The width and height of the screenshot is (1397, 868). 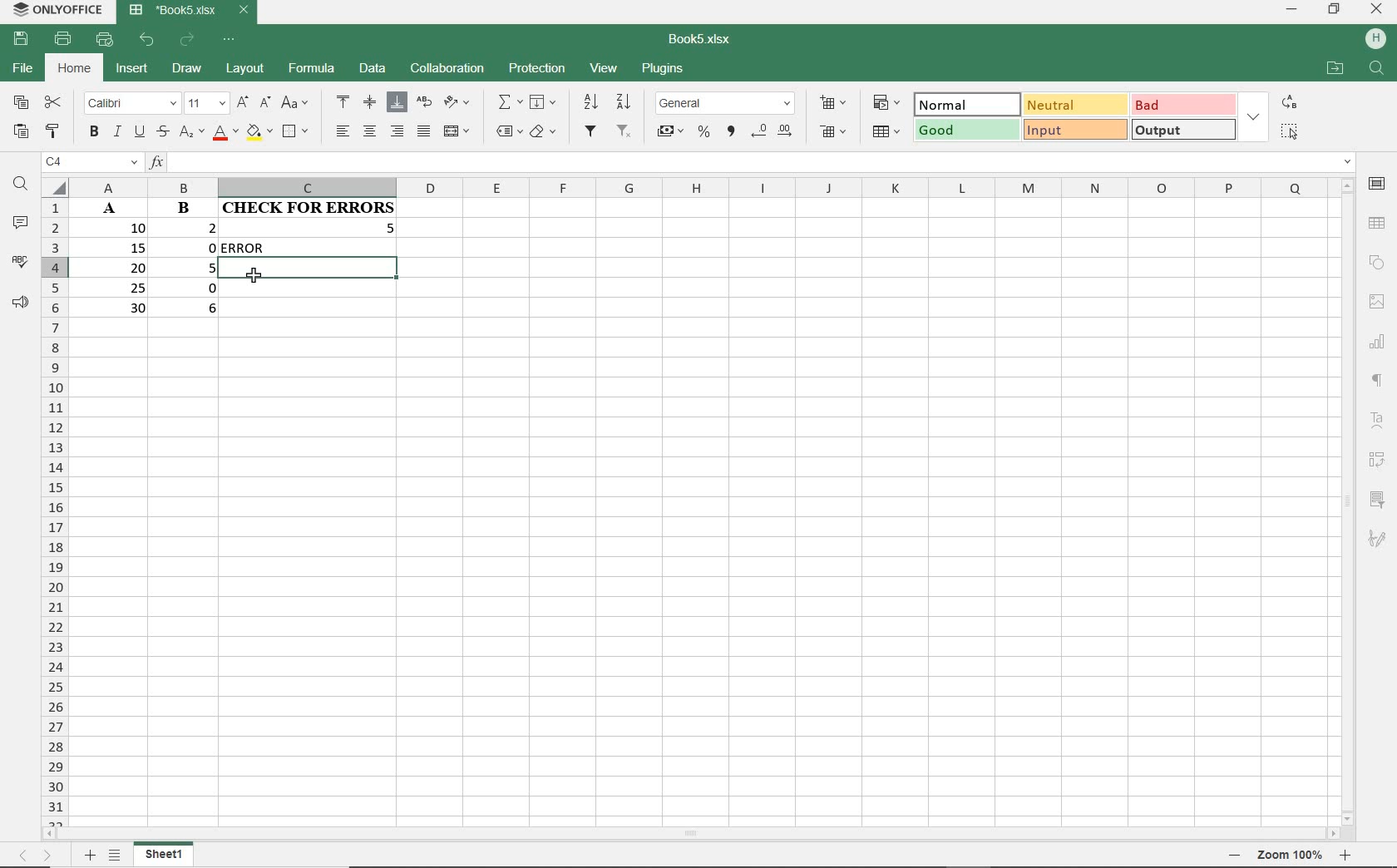 I want to click on SORT DESCENDING, so click(x=626, y=101).